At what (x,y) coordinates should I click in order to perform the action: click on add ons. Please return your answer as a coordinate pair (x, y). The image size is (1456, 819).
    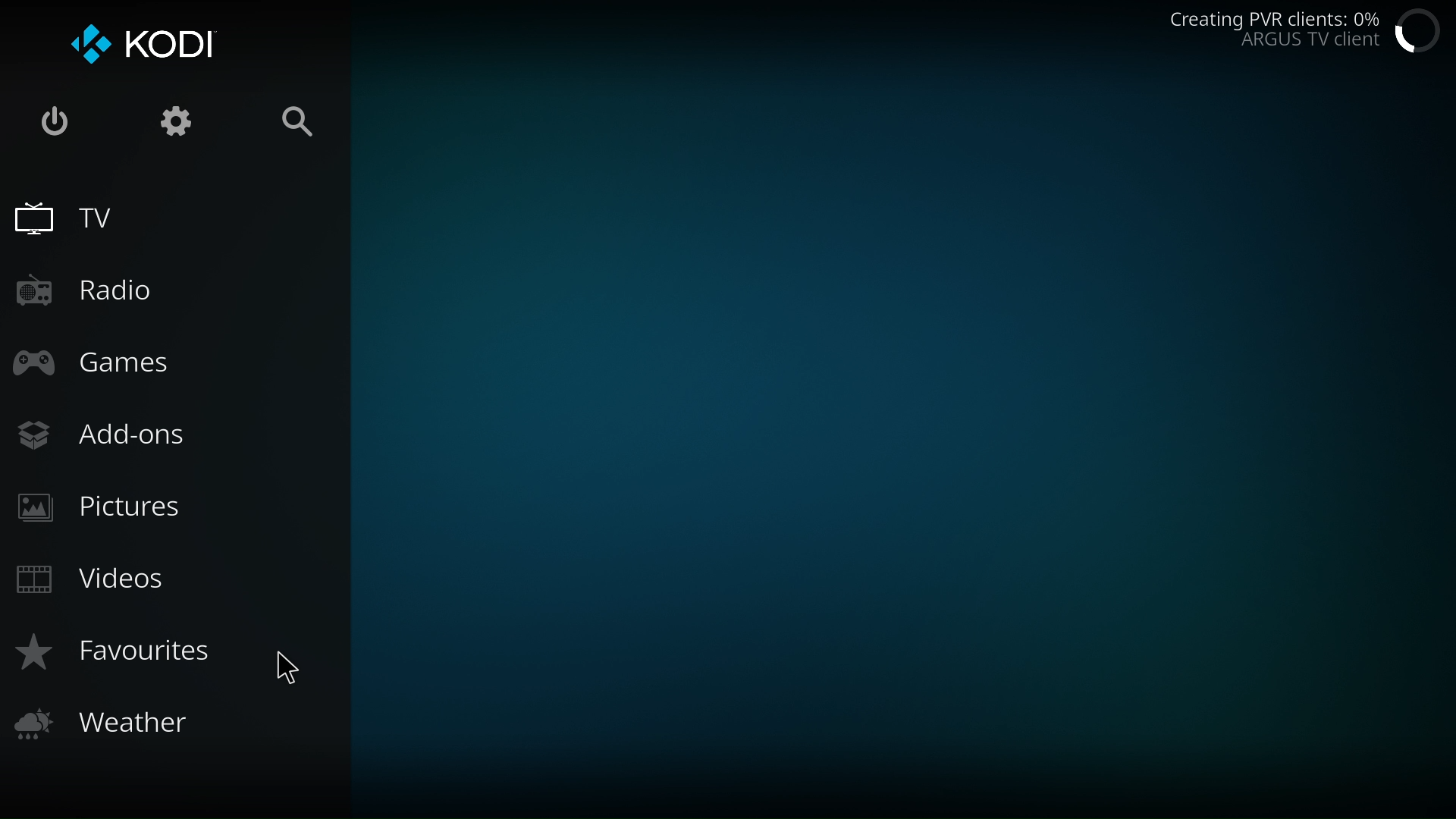
    Looking at the image, I should click on (119, 438).